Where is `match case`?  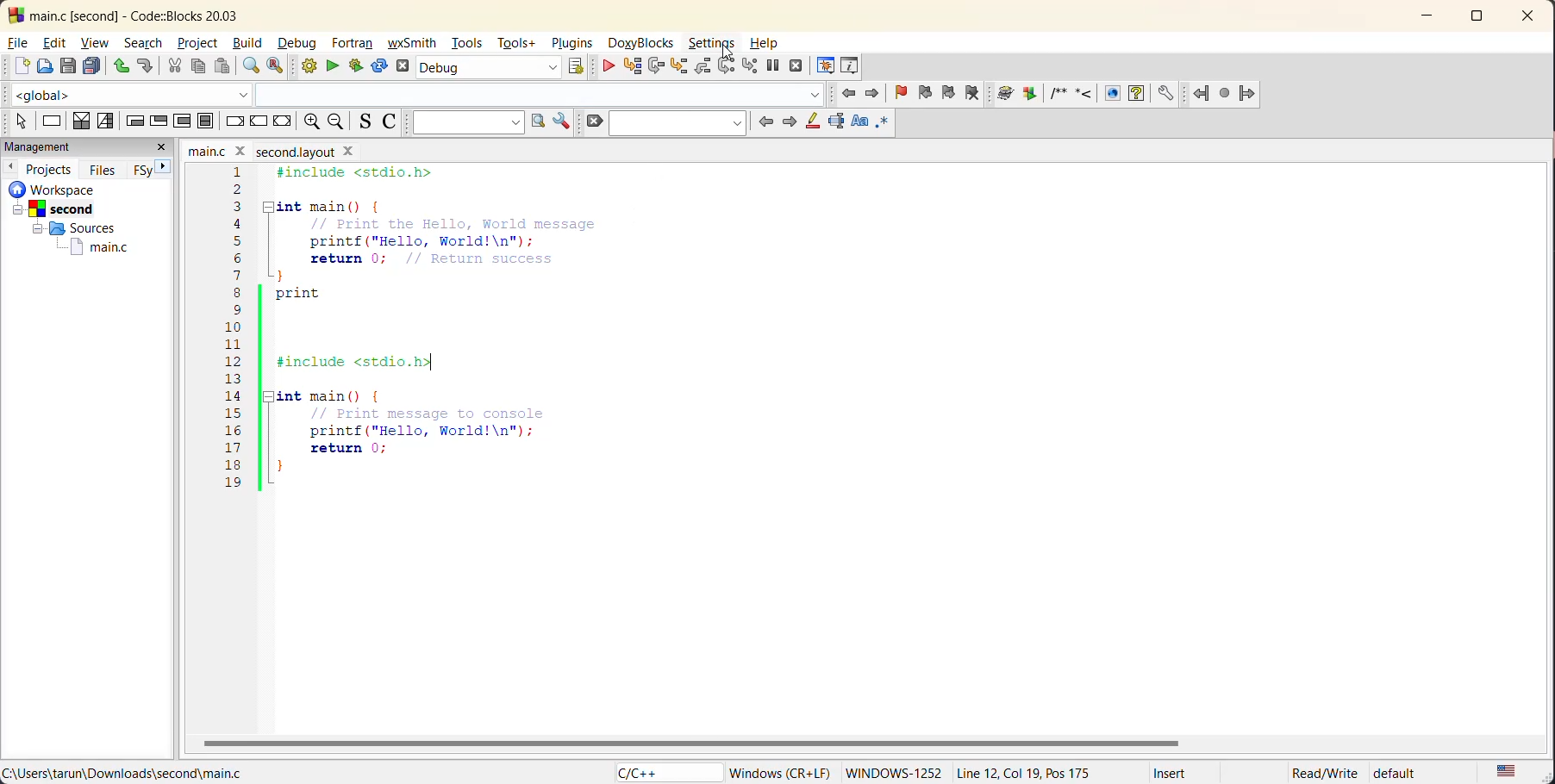 match case is located at coordinates (858, 122).